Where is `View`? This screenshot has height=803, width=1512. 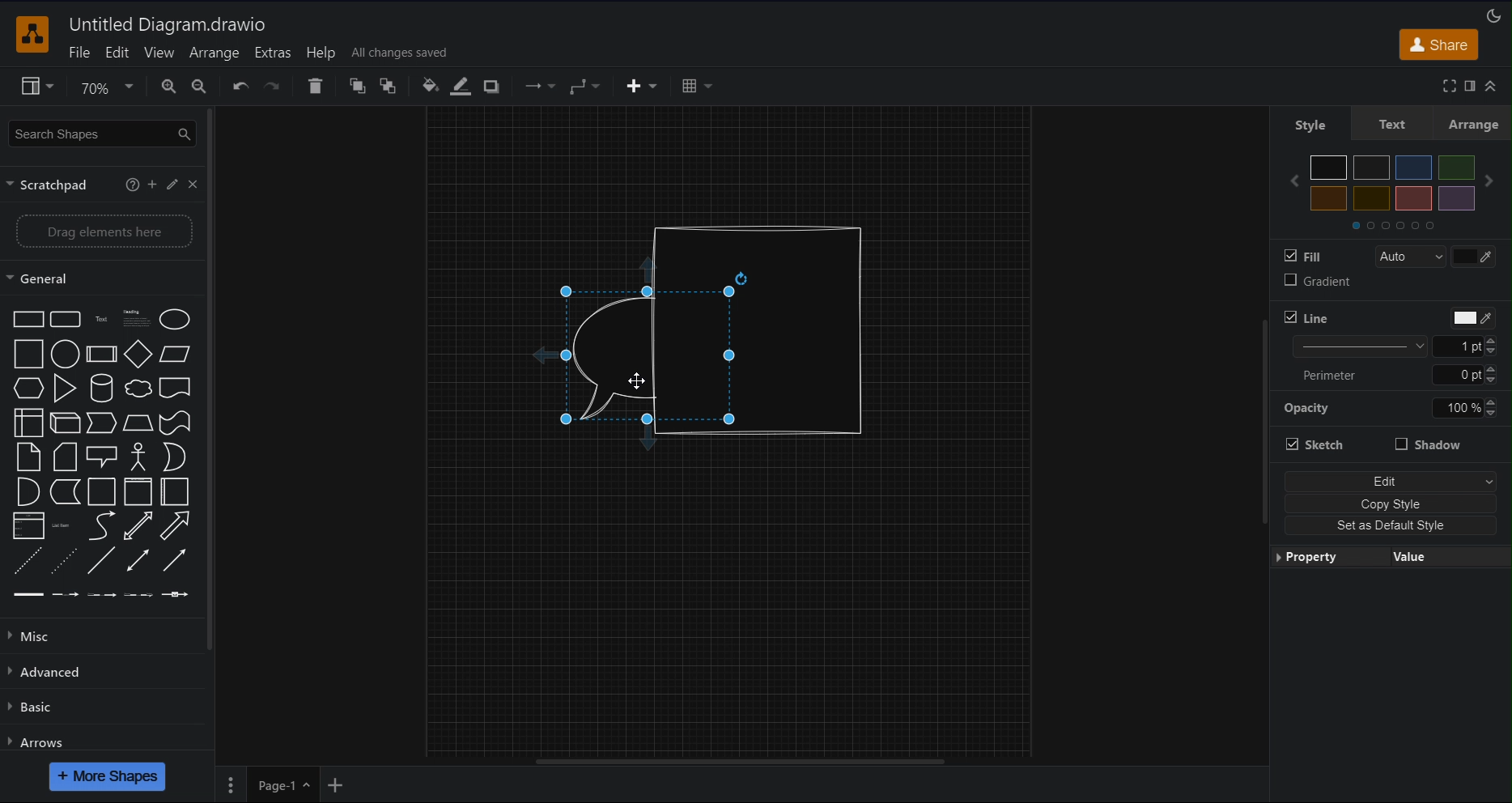 View is located at coordinates (37, 86).